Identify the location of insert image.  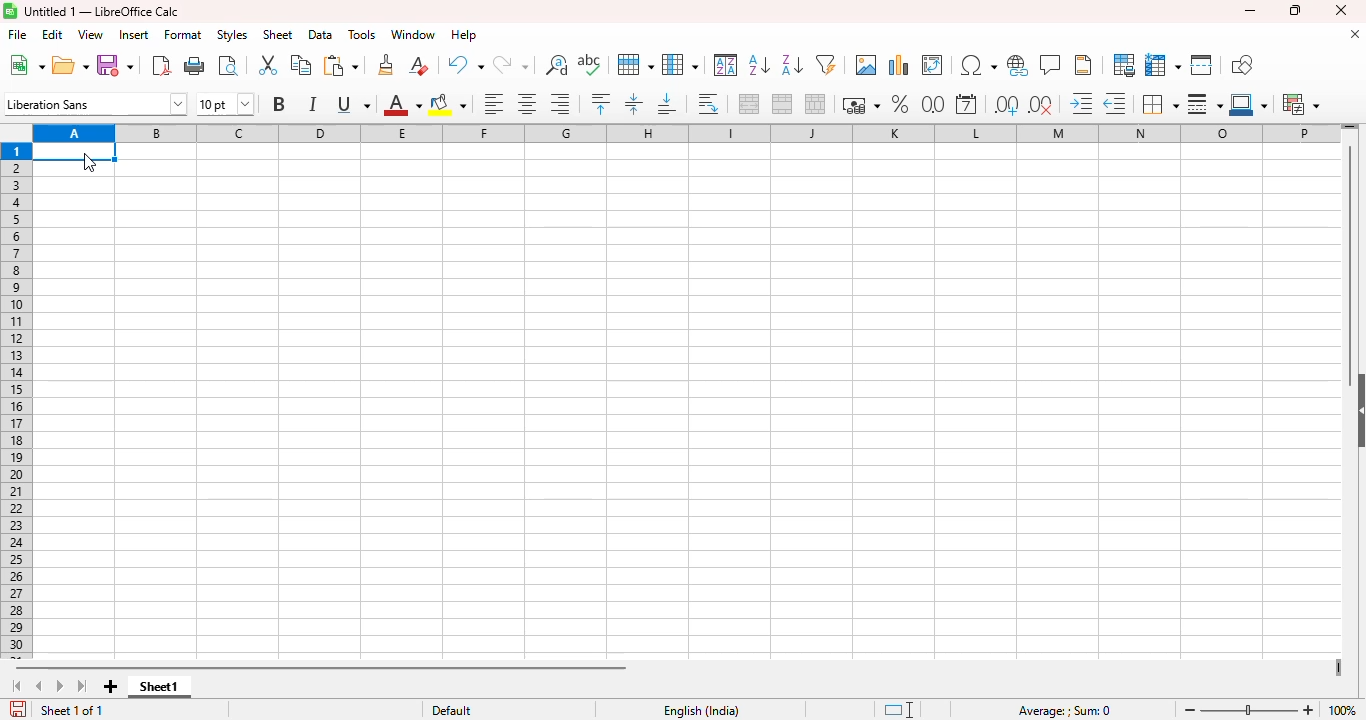
(867, 65).